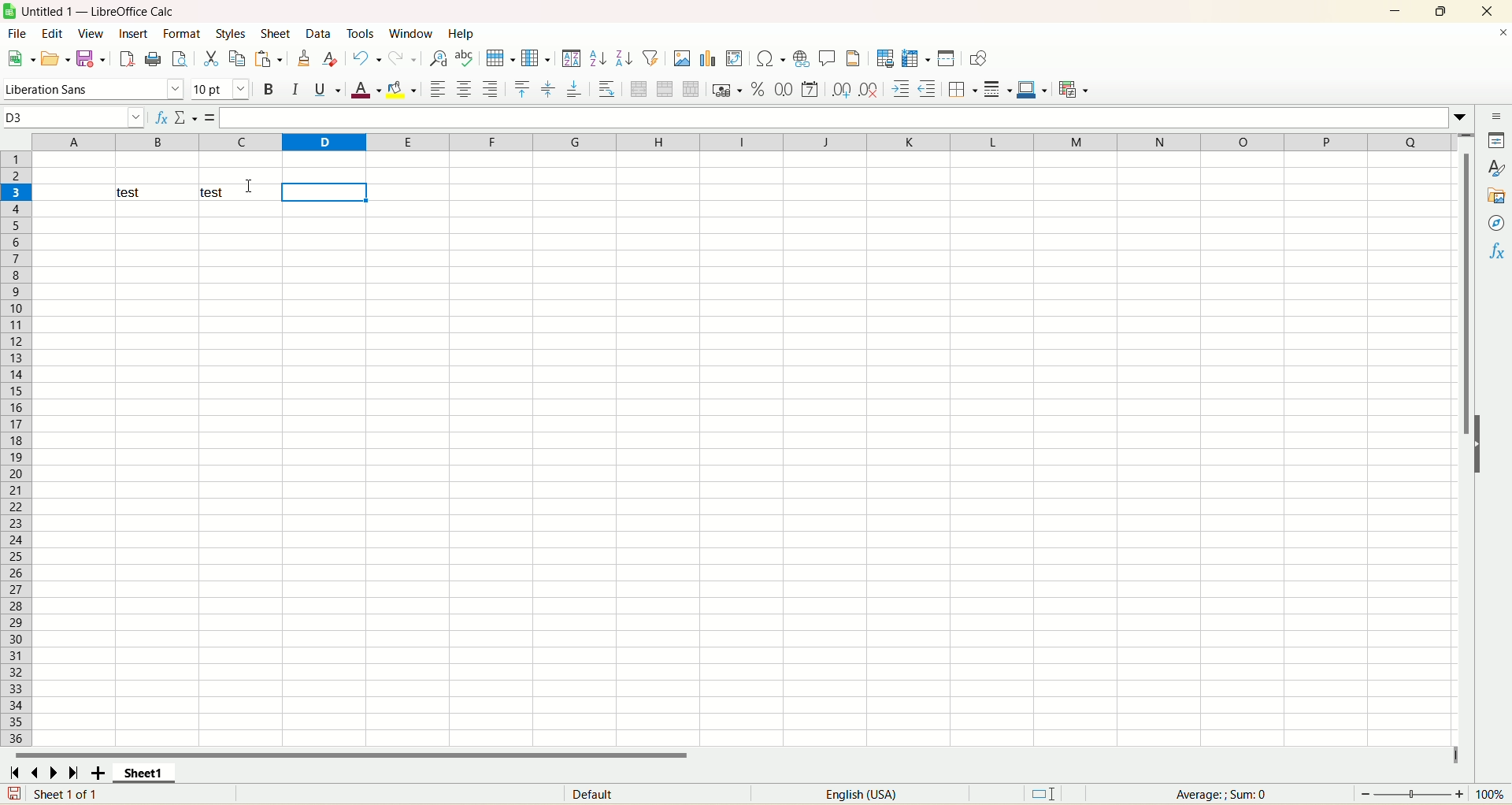 Image resolution: width=1512 pixels, height=805 pixels. Describe the element at coordinates (801, 59) in the screenshot. I see `insert hyperlink` at that location.